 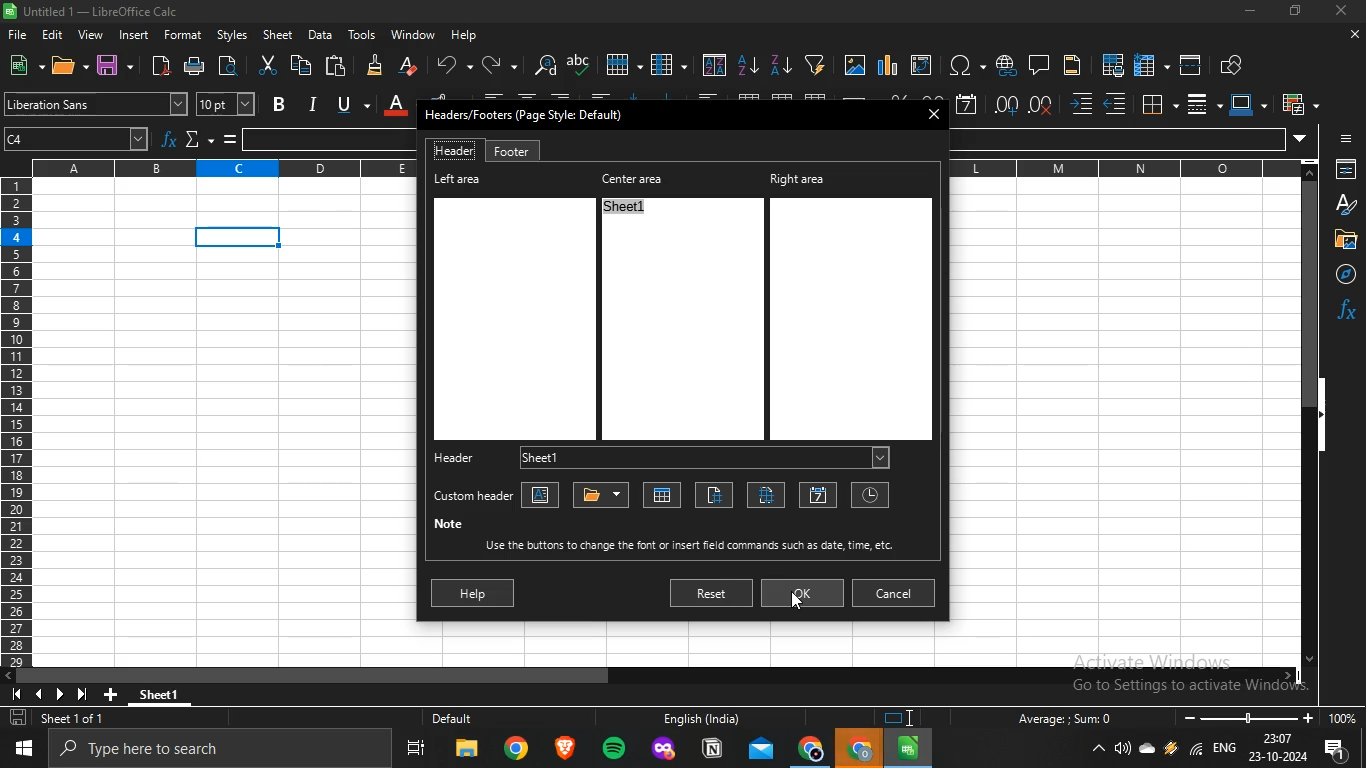 What do you see at coordinates (20, 64) in the screenshot?
I see `new ` at bounding box center [20, 64].